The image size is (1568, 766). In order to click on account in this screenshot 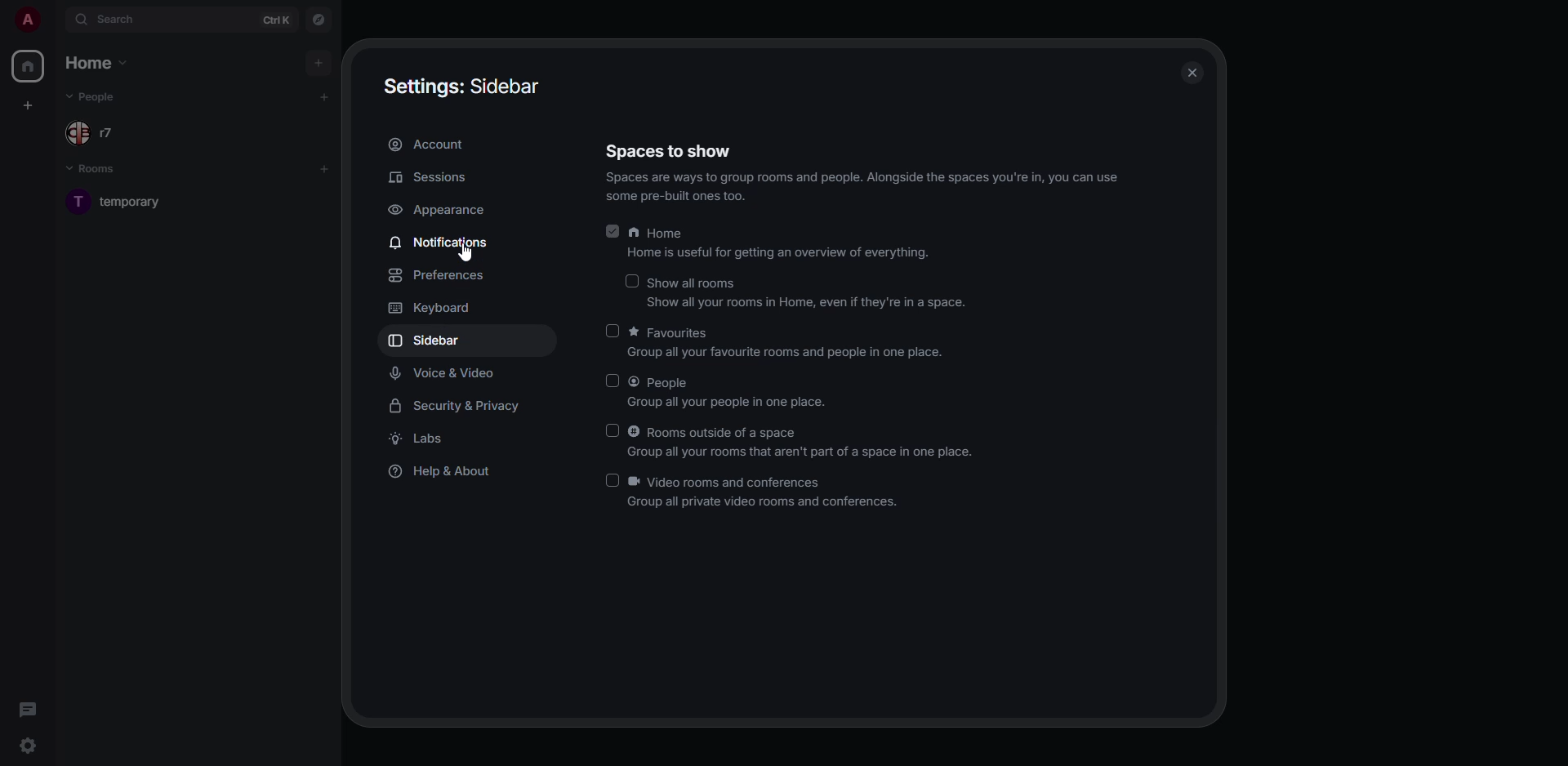, I will do `click(431, 146)`.